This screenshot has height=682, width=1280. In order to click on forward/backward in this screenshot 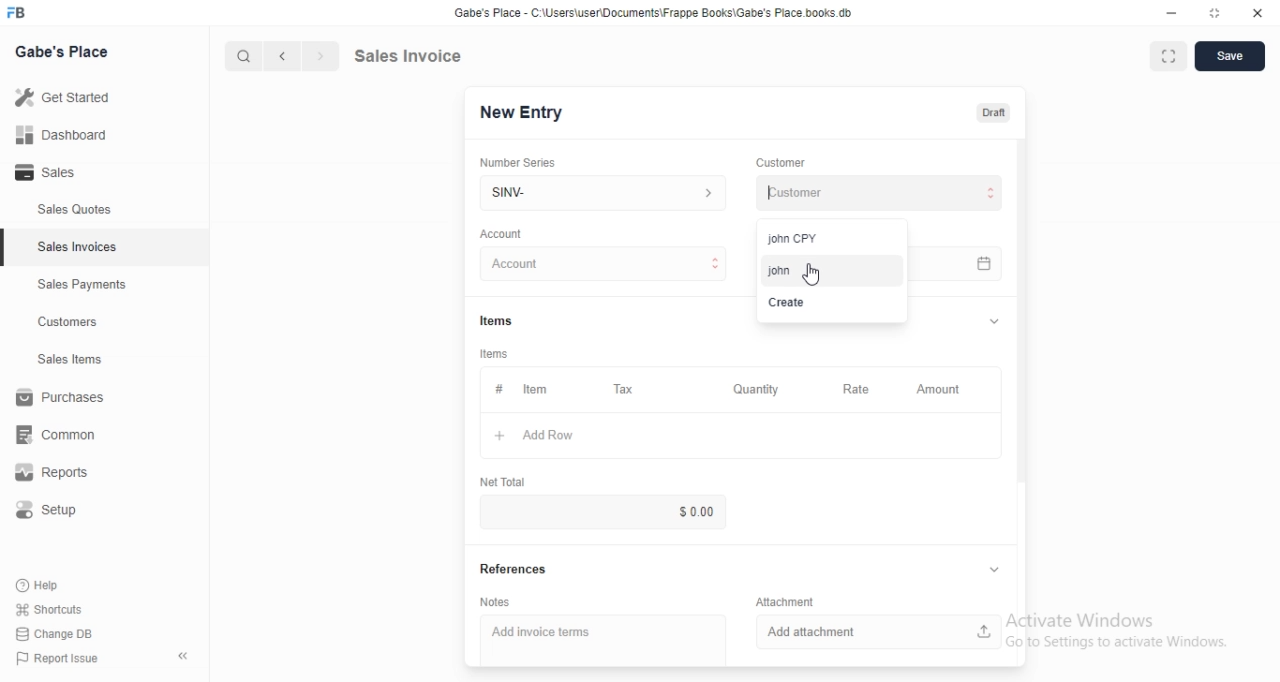, I will do `click(300, 56)`.